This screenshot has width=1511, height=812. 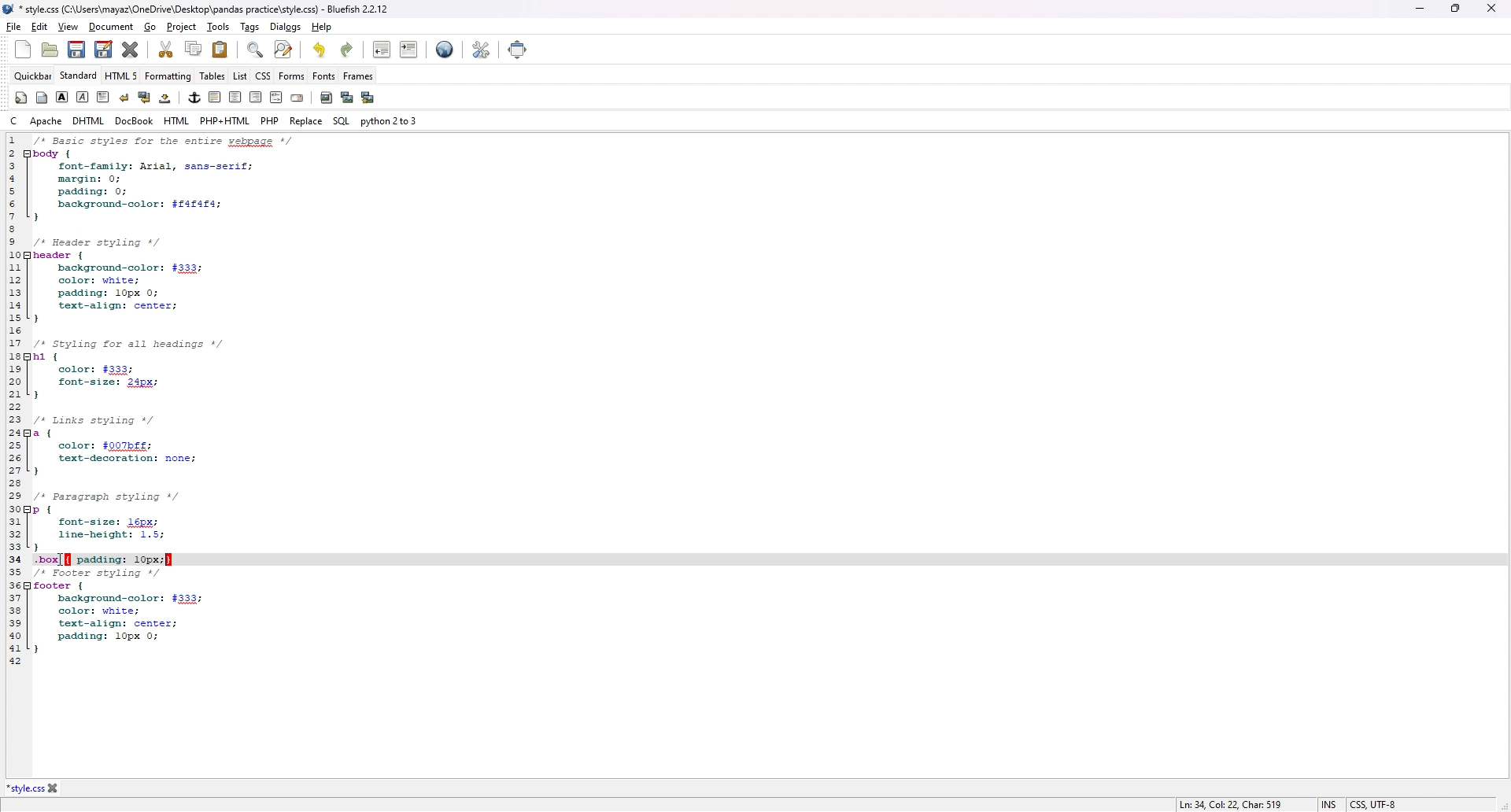 I want to click on Ln: 34, Col: 22, Char: 519, so click(x=1229, y=803).